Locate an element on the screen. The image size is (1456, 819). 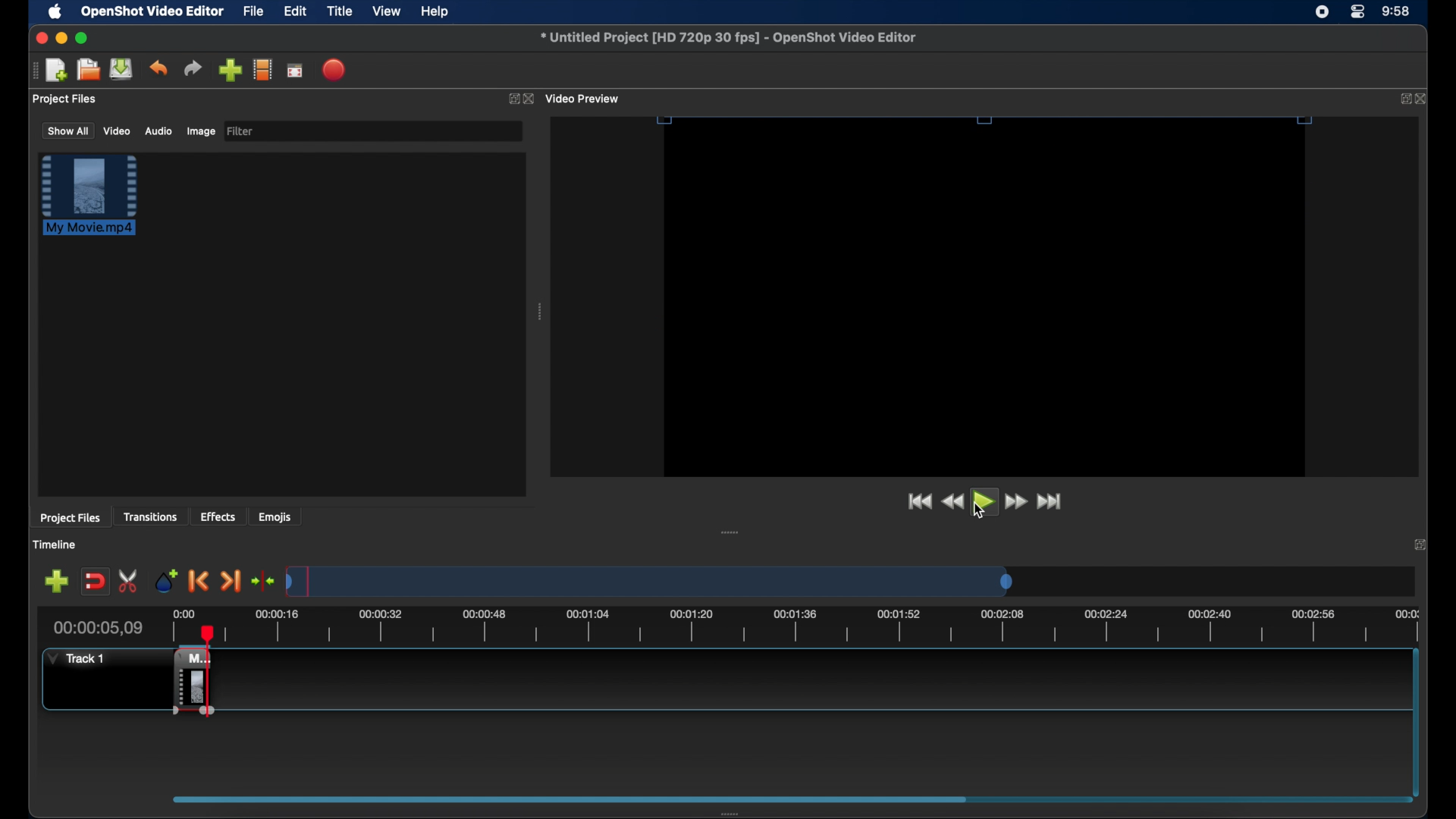
play button highlighted is located at coordinates (985, 502).